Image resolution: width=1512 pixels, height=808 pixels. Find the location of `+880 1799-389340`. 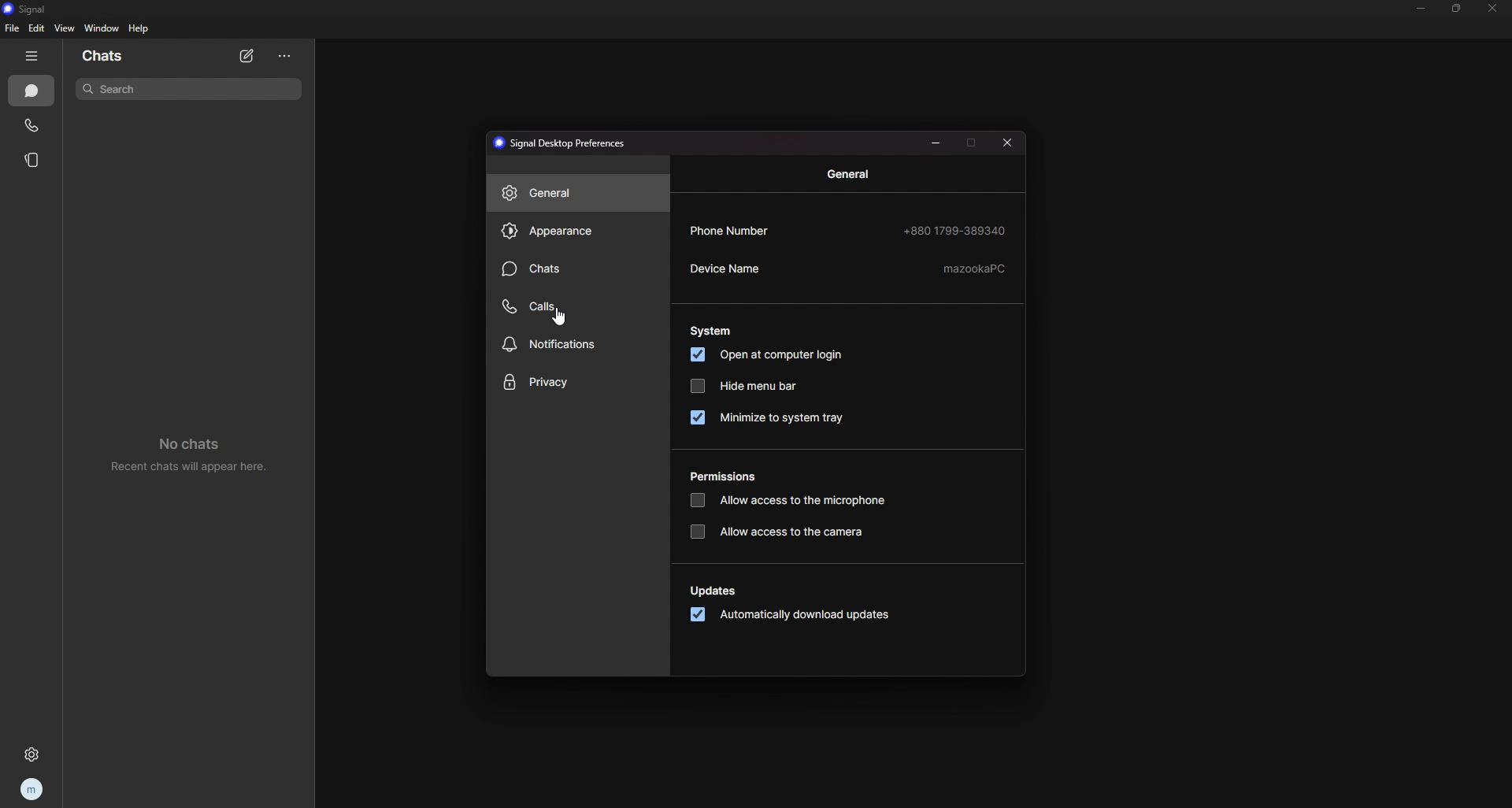

+880 1799-389340 is located at coordinates (957, 231).